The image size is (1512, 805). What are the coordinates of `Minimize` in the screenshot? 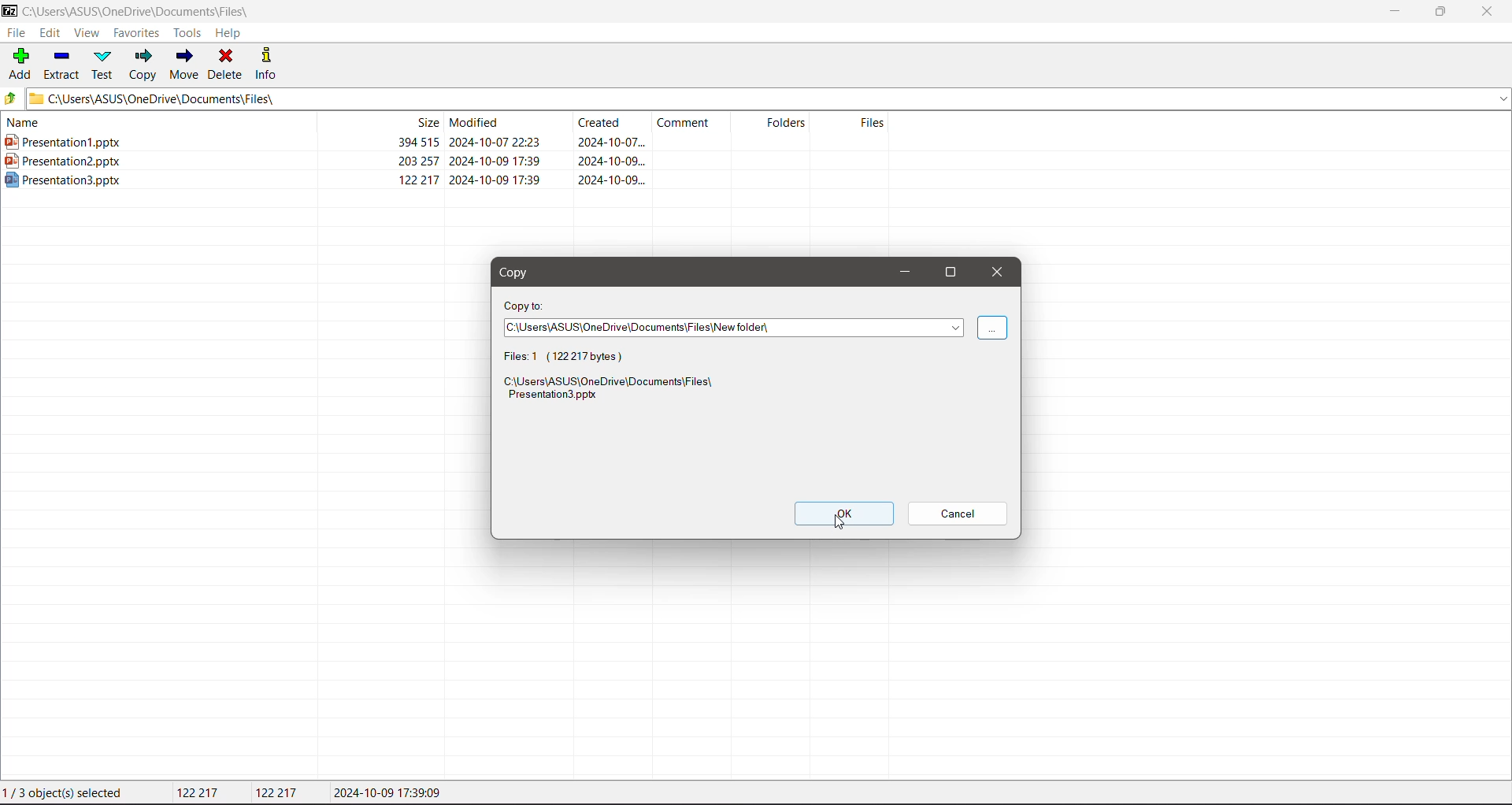 It's located at (904, 273).